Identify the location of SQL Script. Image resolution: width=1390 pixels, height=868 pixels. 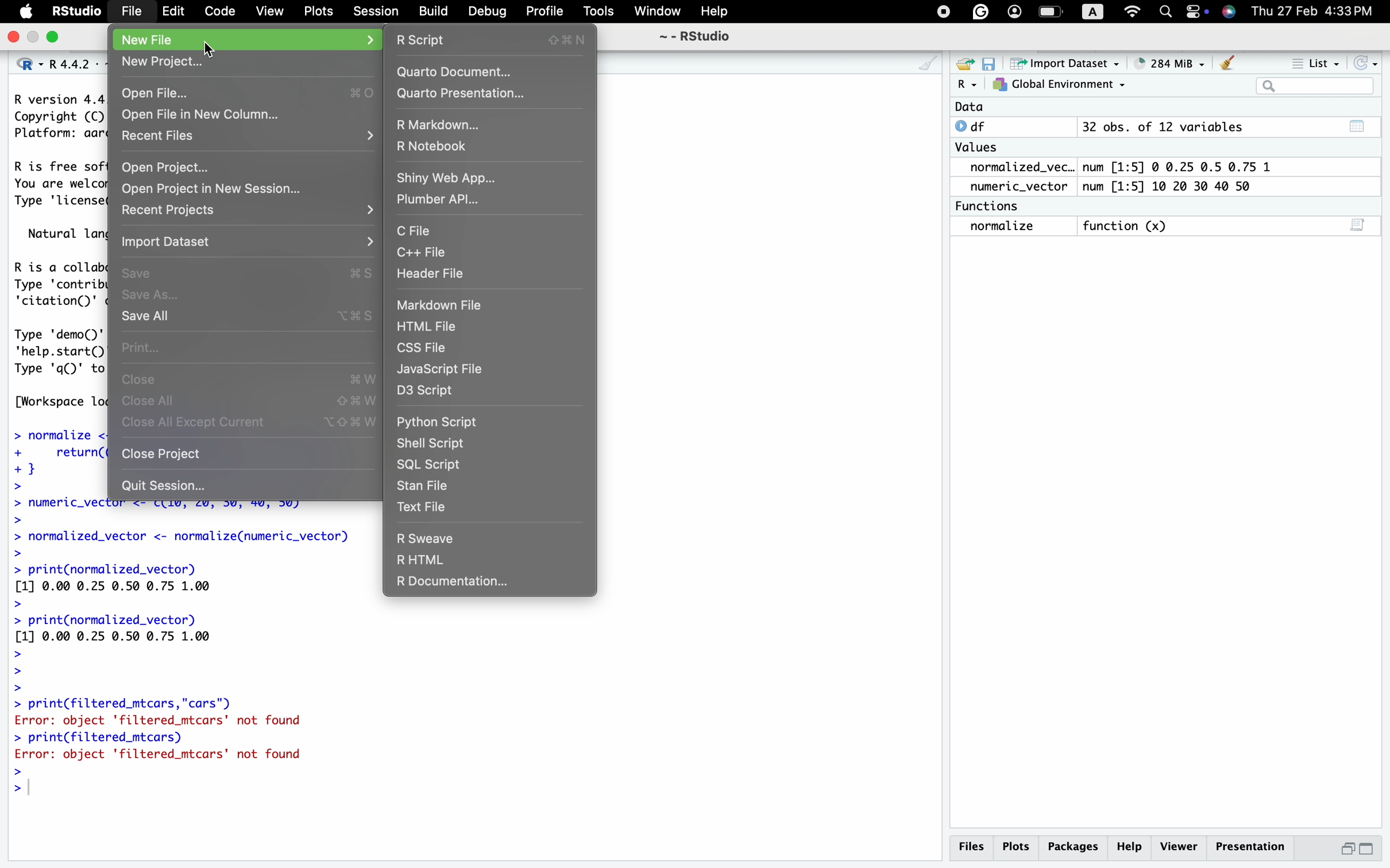
(430, 465).